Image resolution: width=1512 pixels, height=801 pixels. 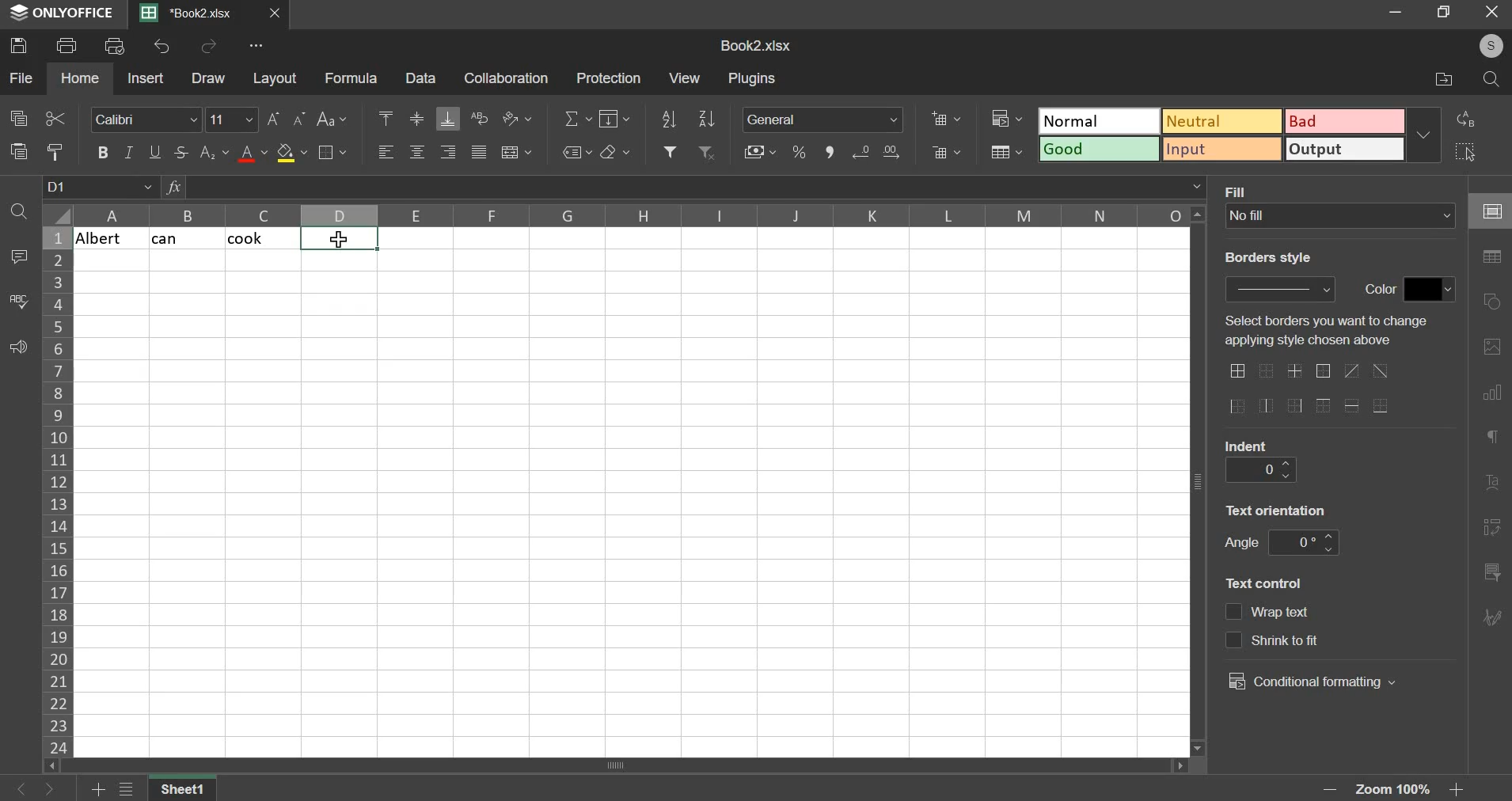 I want to click on protection, so click(x=612, y=78).